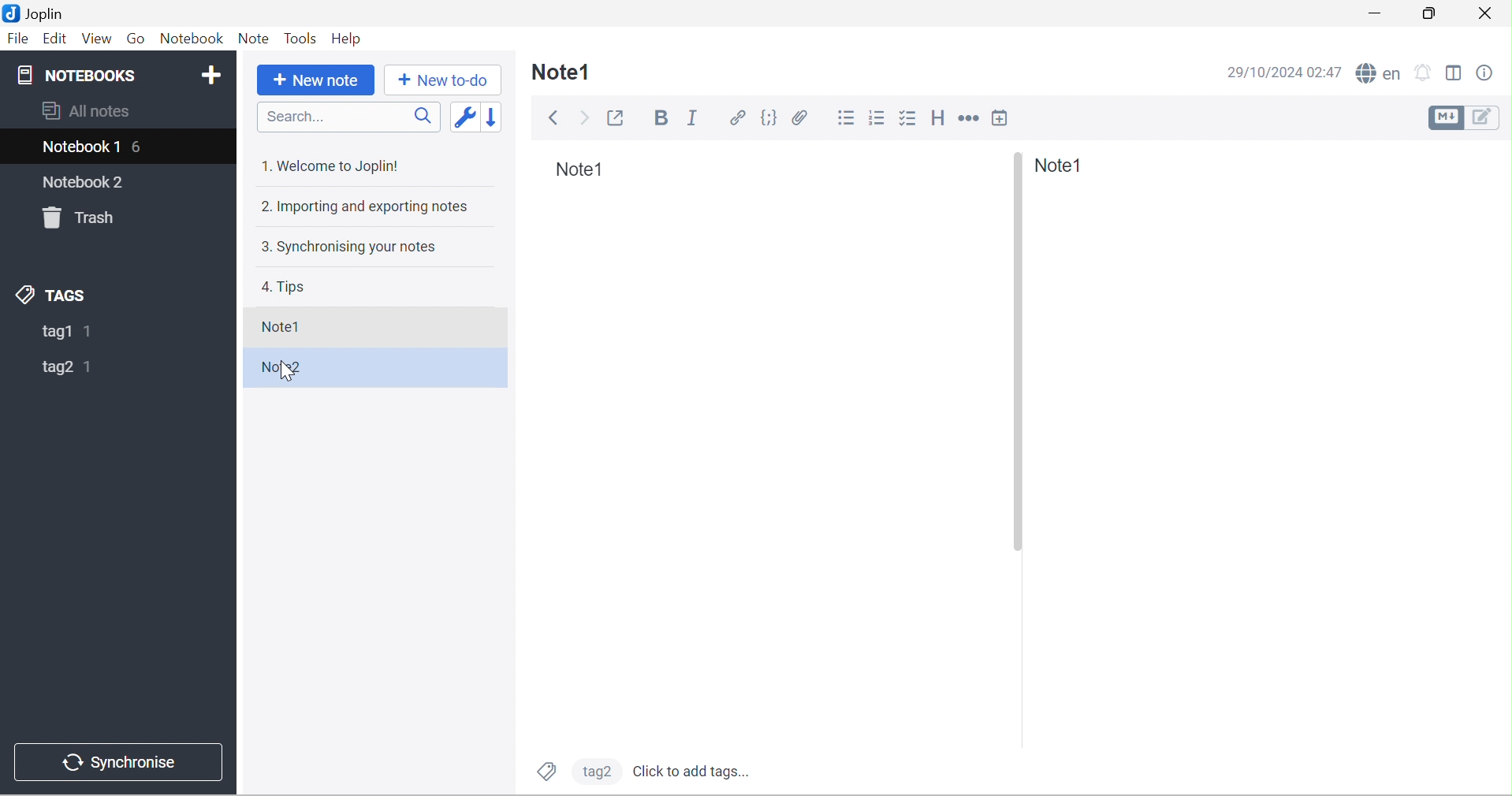  Describe the element at coordinates (1424, 72) in the screenshot. I see `Set alarm` at that location.